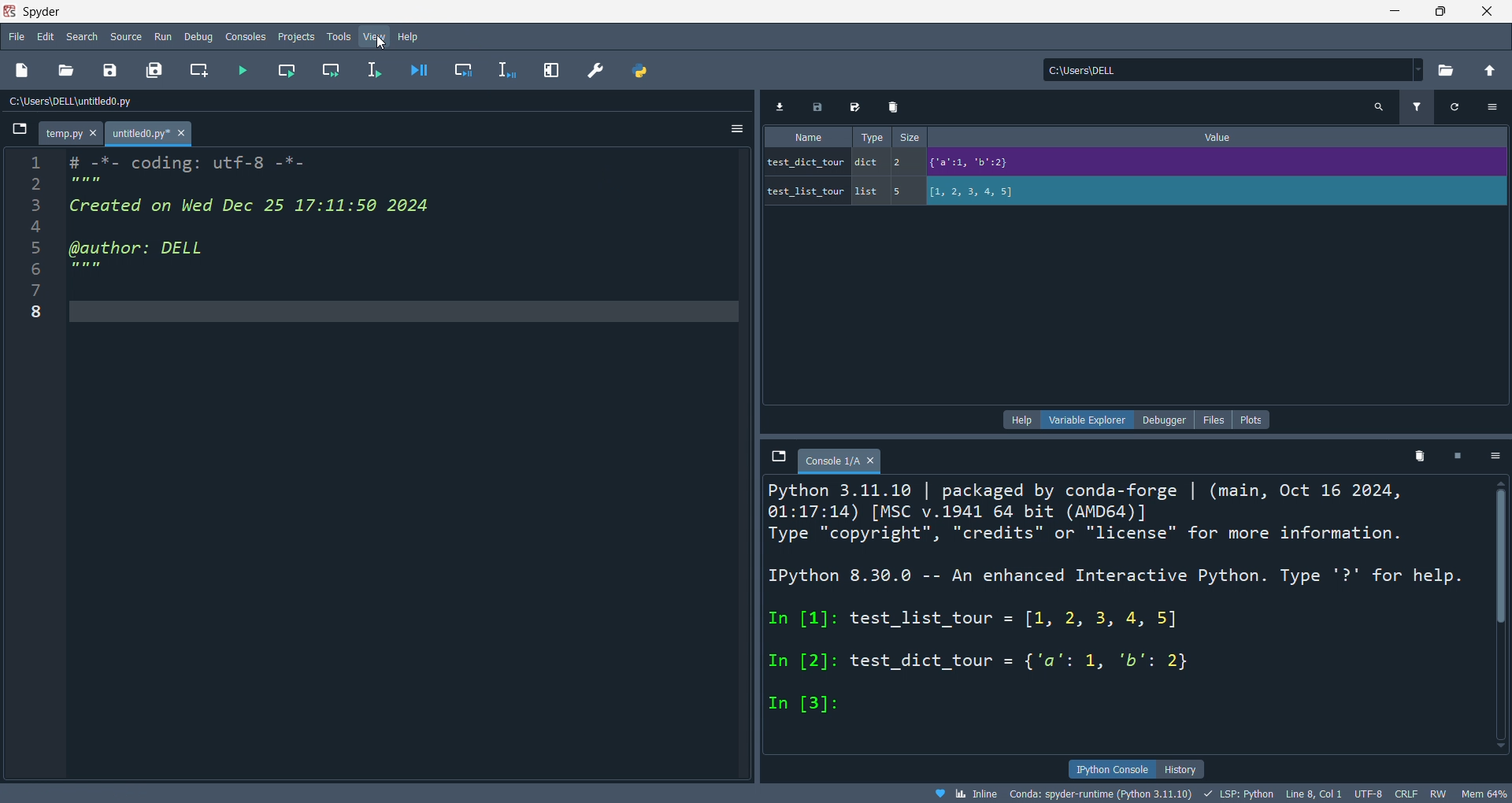 The height and width of the screenshot is (803, 1512). Describe the element at coordinates (784, 107) in the screenshot. I see `import` at that location.